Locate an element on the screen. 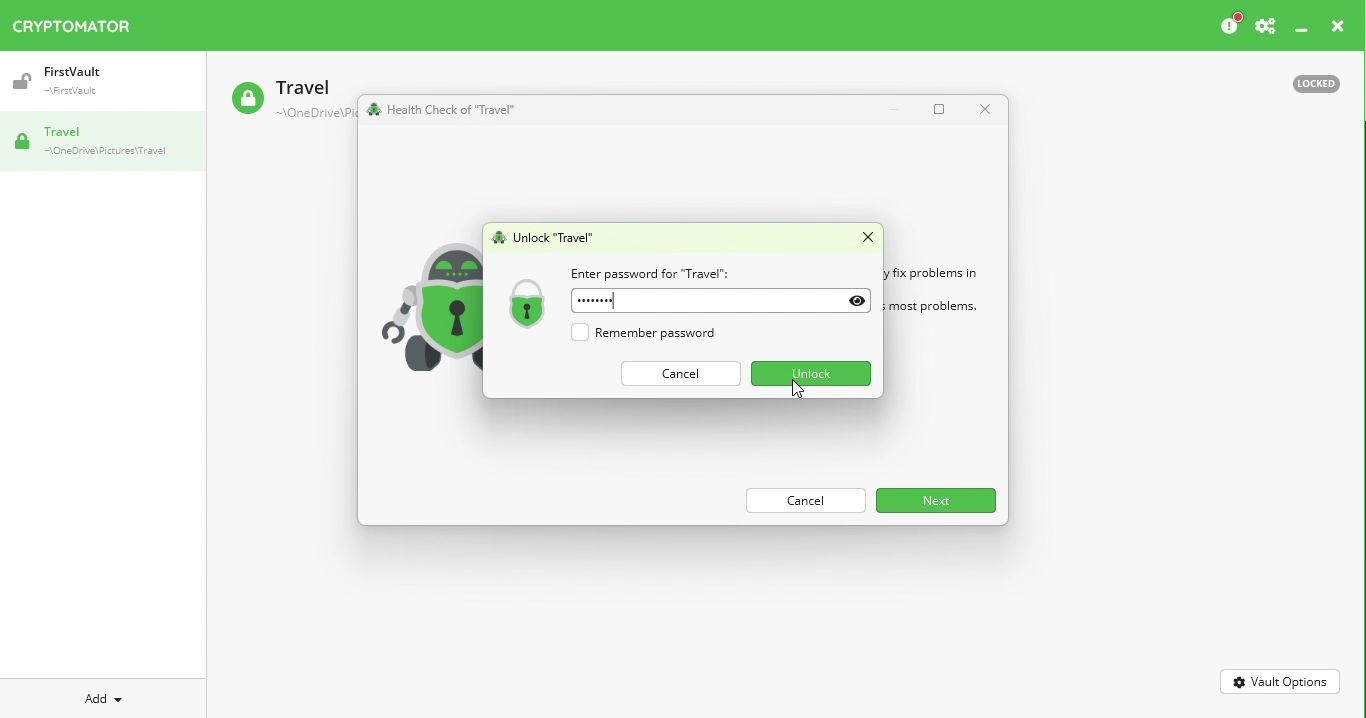 The height and width of the screenshot is (718, 1366). unhide password is located at coordinates (858, 302).